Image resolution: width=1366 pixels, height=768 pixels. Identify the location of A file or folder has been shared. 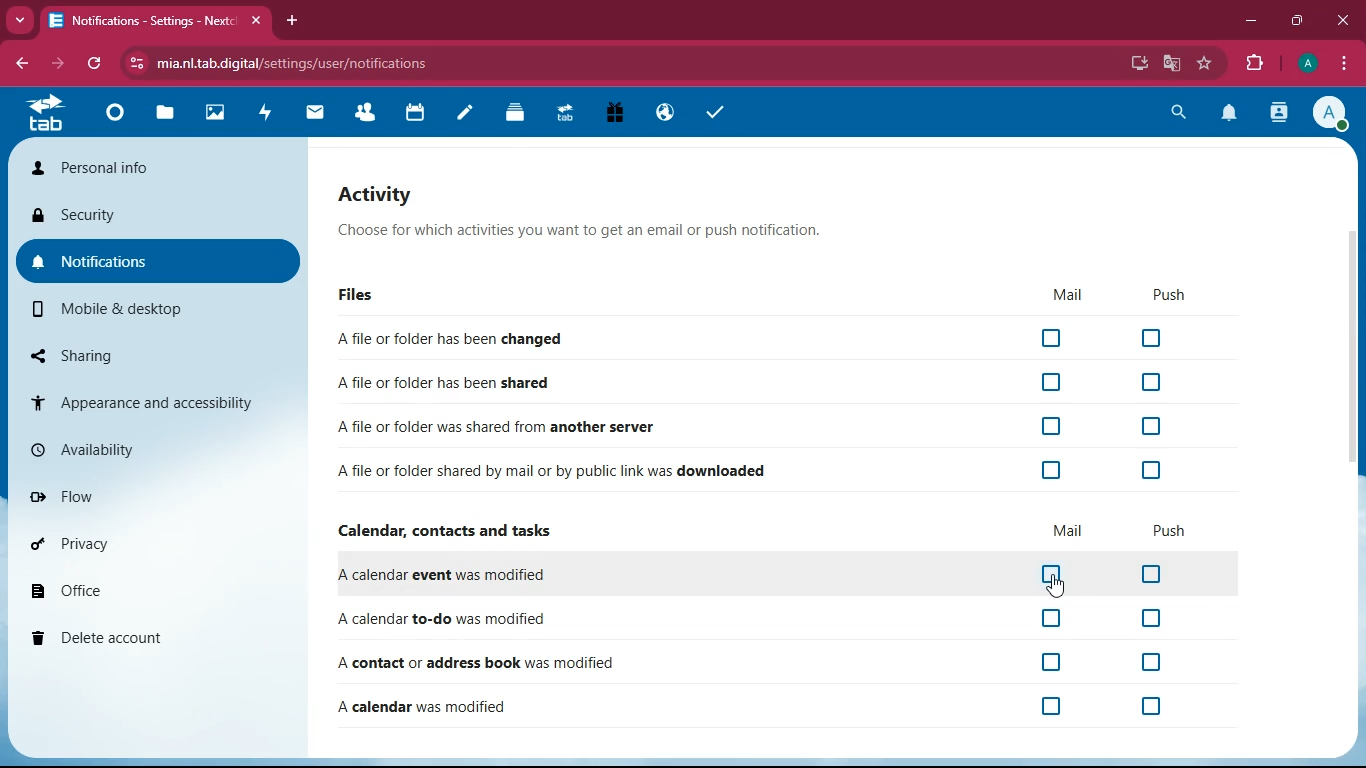
(751, 384).